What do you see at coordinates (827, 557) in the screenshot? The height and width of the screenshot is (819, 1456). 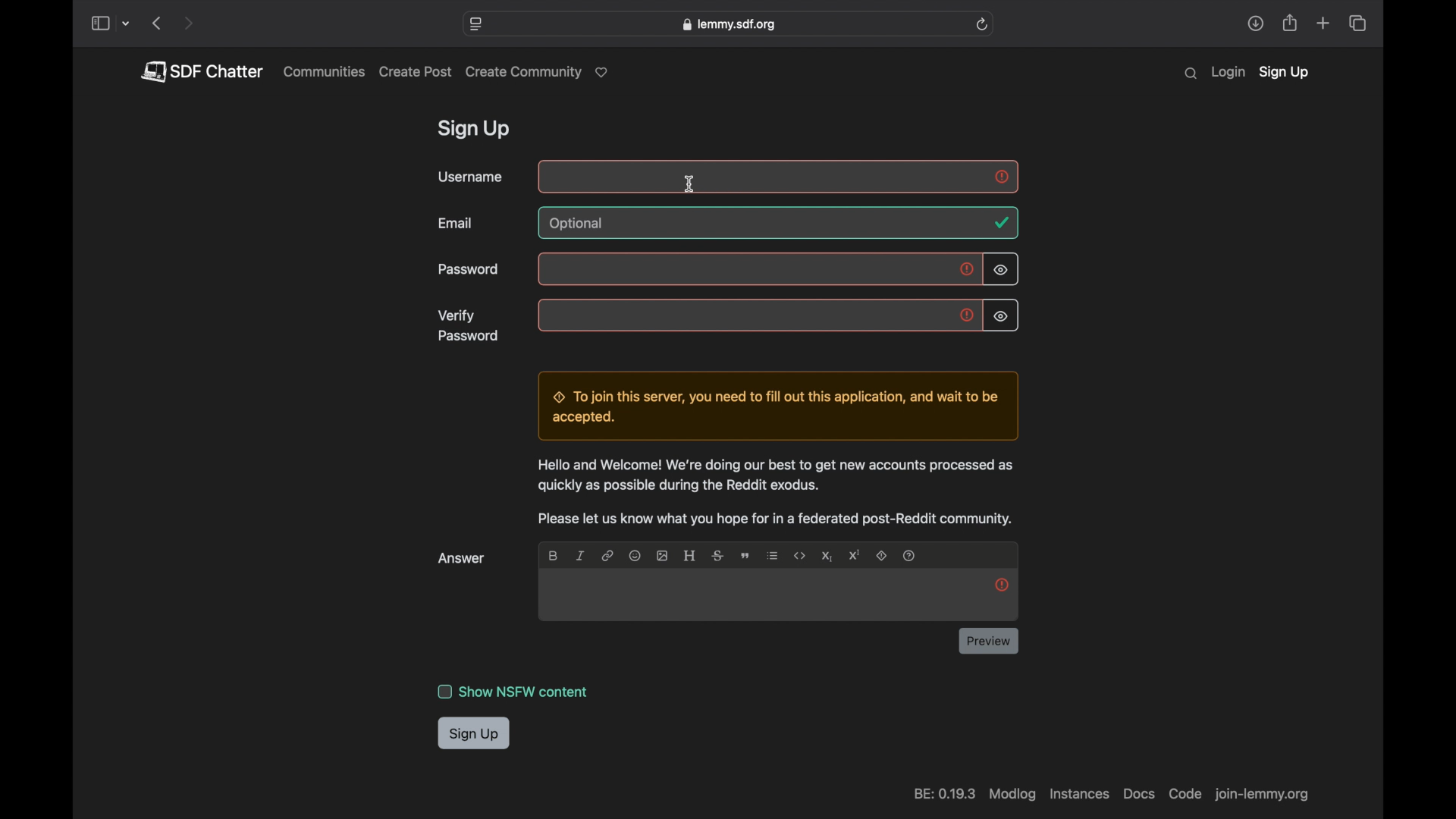 I see `subscript` at bounding box center [827, 557].